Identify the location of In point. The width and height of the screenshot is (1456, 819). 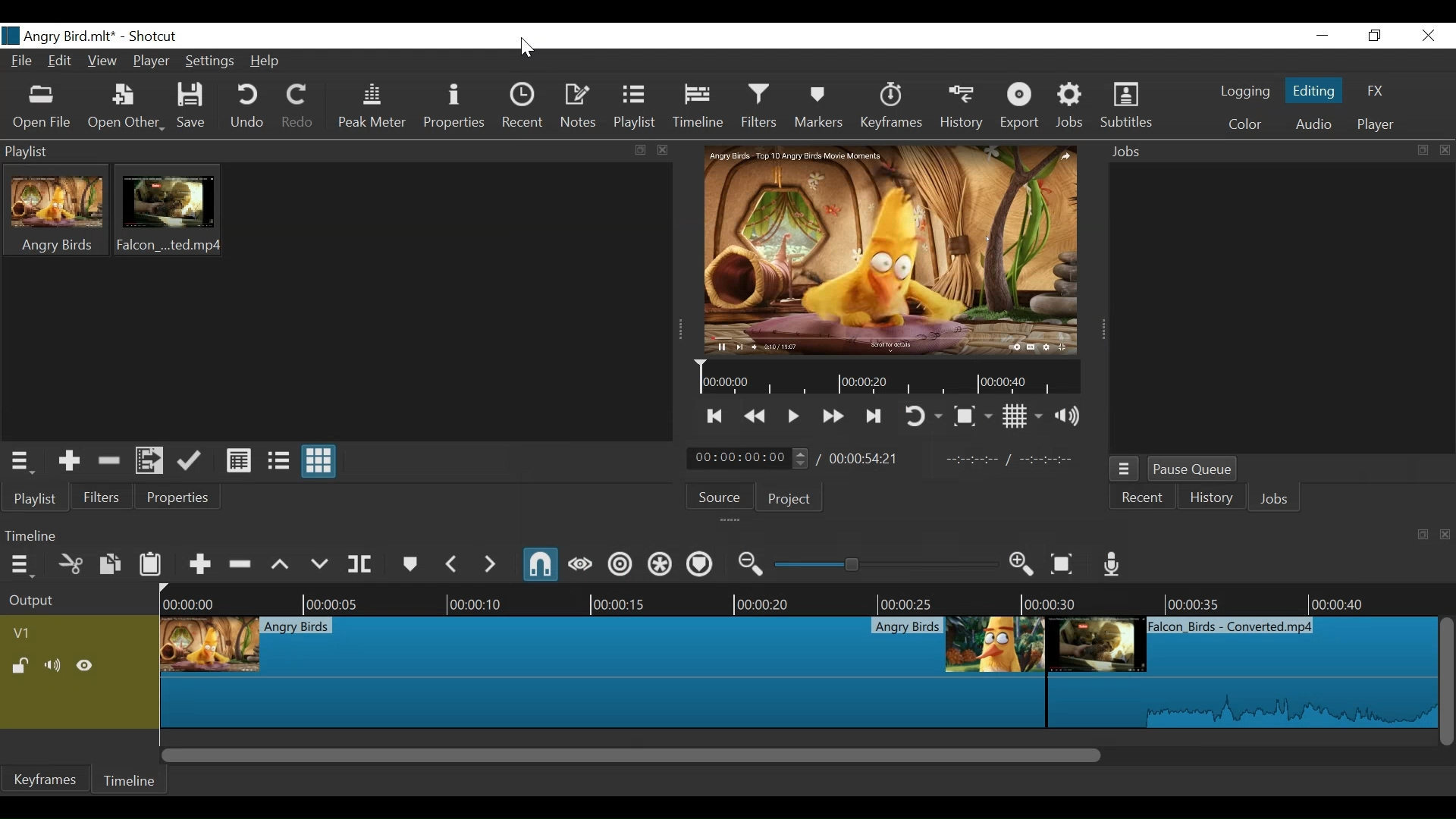
(1009, 457).